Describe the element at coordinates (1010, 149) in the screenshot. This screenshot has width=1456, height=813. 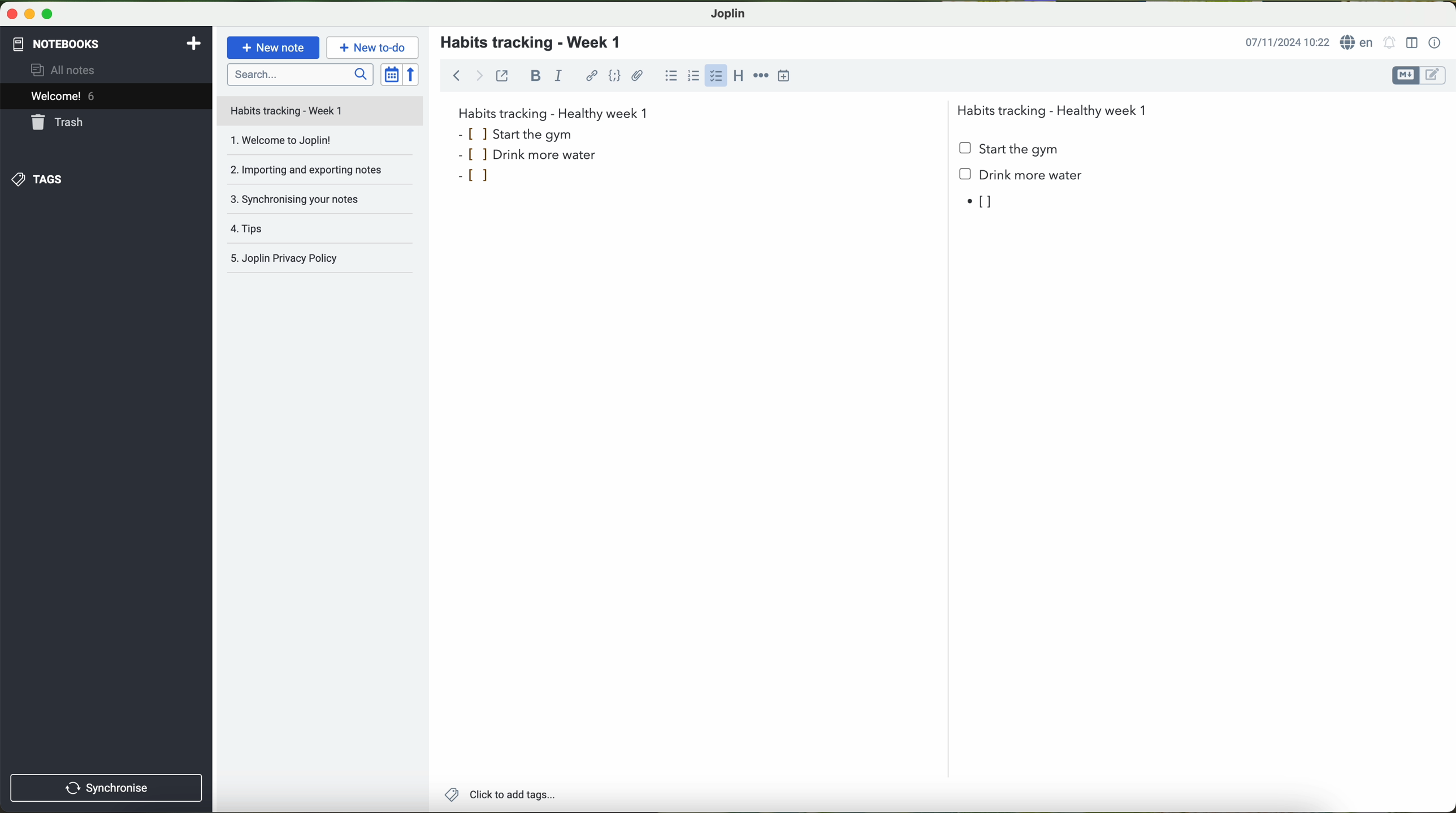
I see `start the gym` at that location.